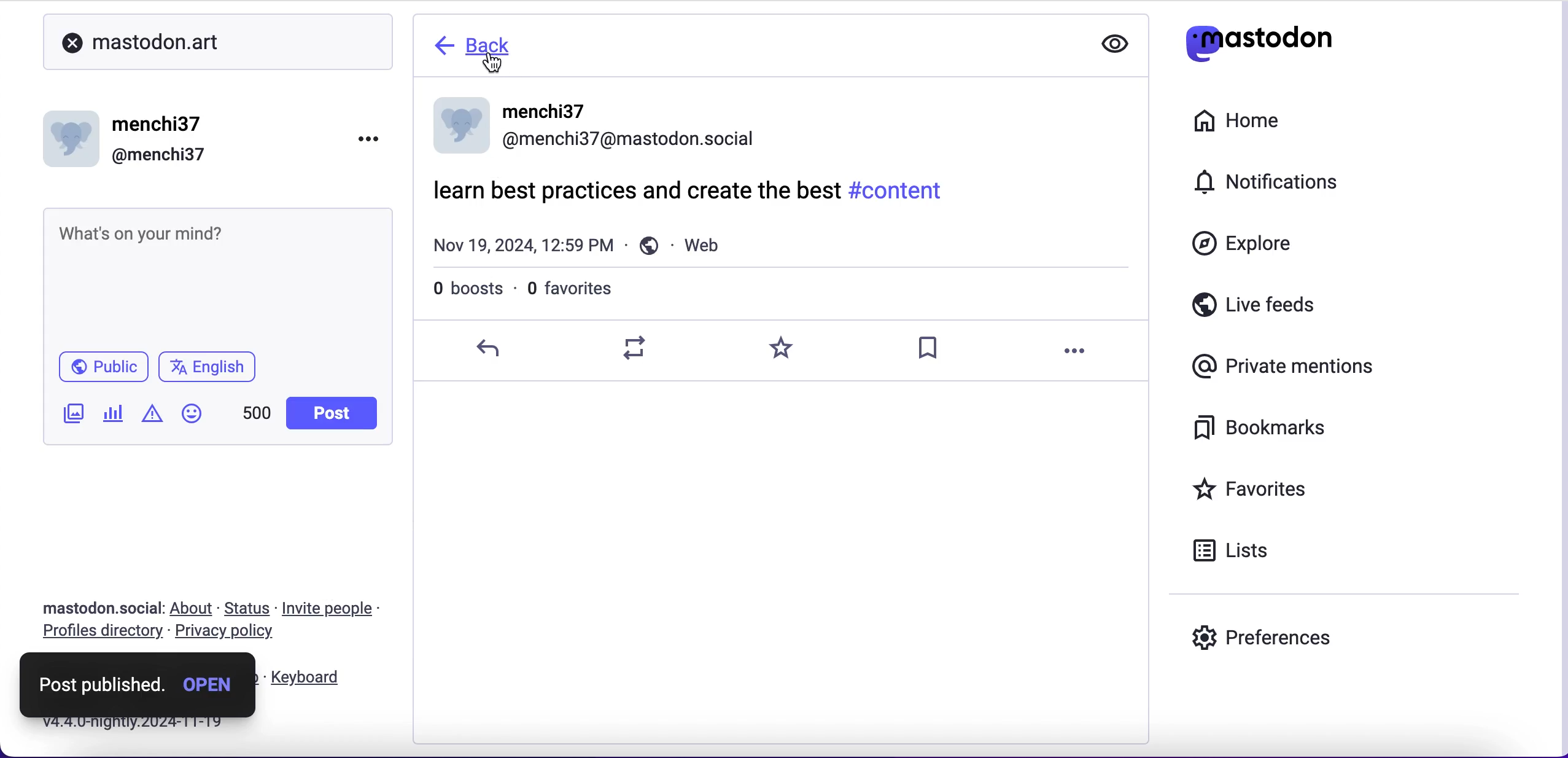 The width and height of the screenshot is (1568, 758). What do you see at coordinates (1073, 352) in the screenshot?
I see `options` at bounding box center [1073, 352].